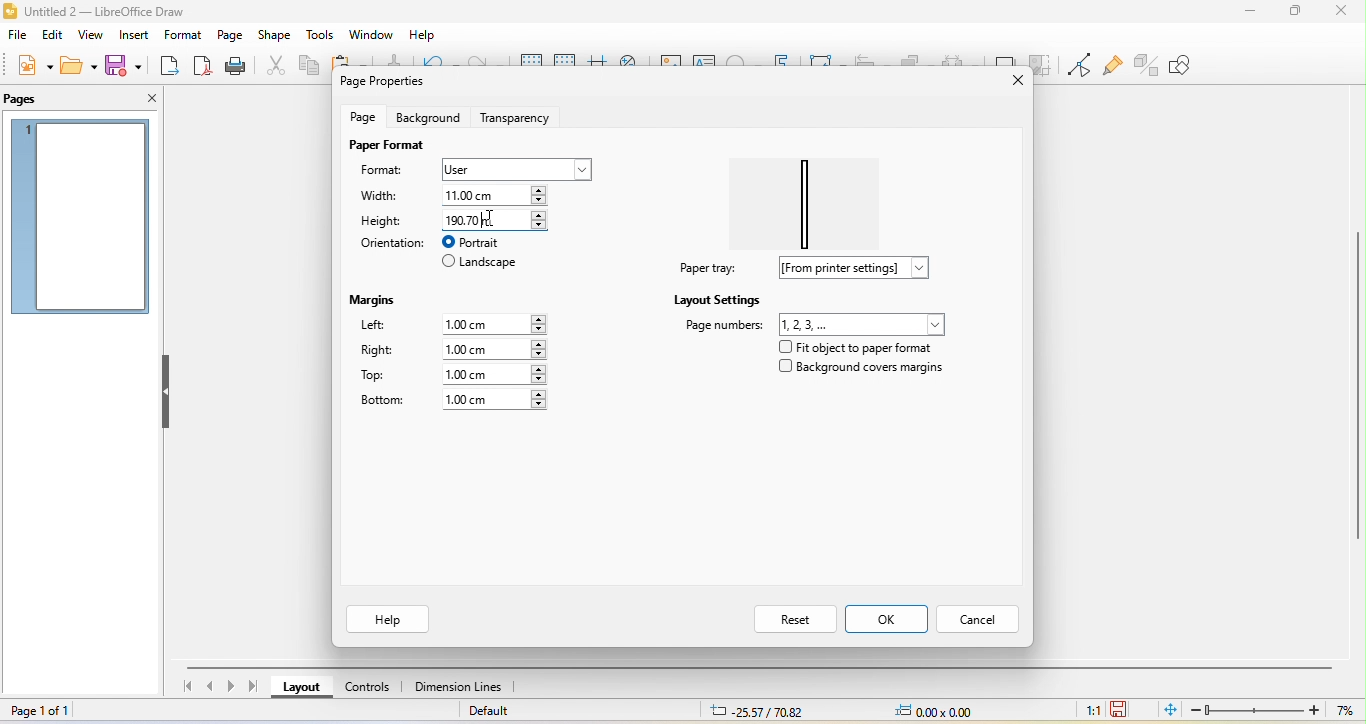 Image resolution: width=1366 pixels, height=724 pixels. What do you see at coordinates (391, 172) in the screenshot?
I see `format` at bounding box center [391, 172].